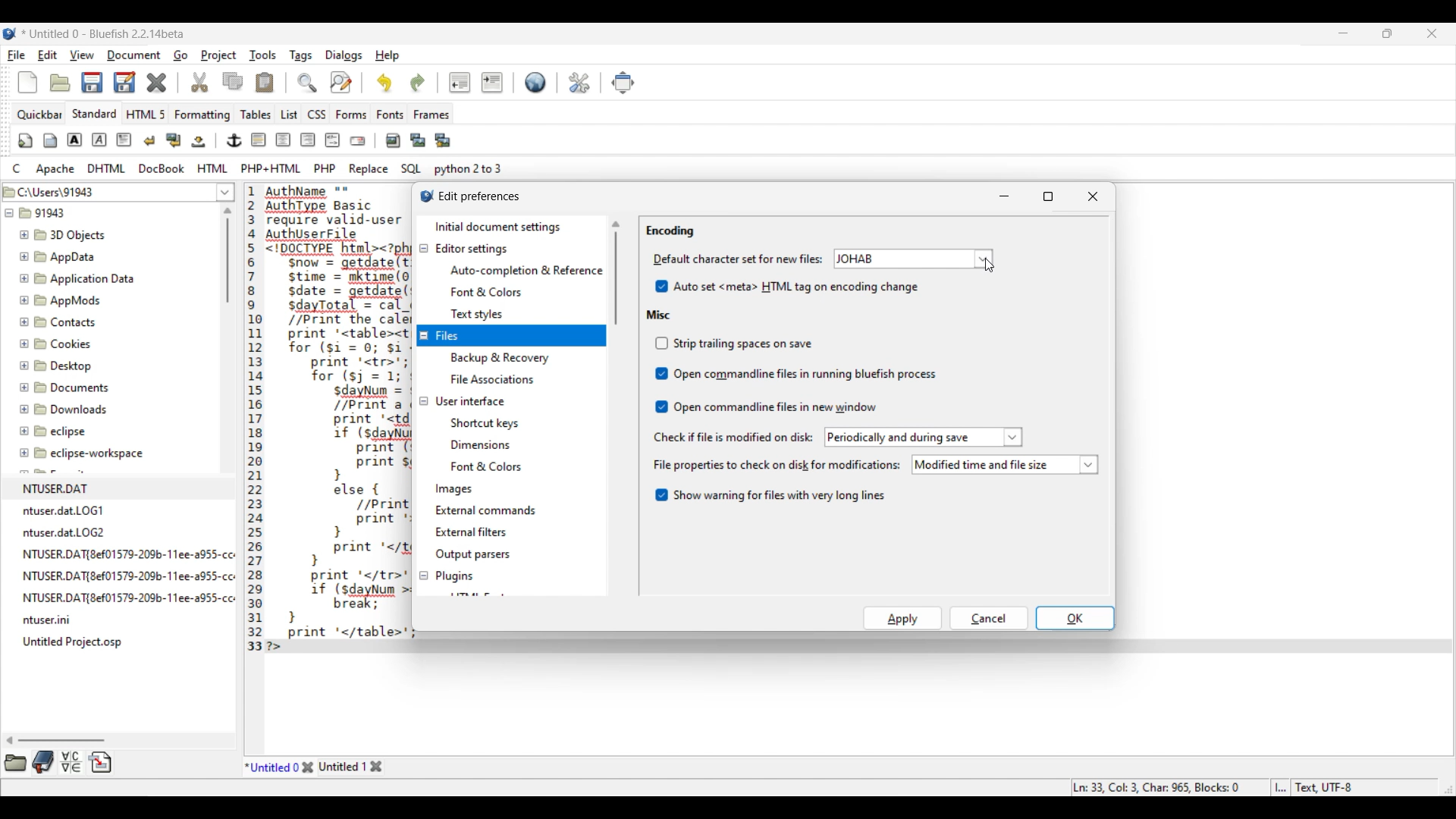 The image size is (1456, 819). Describe the element at coordinates (328, 419) in the screenshot. I see `Current code` at that location.